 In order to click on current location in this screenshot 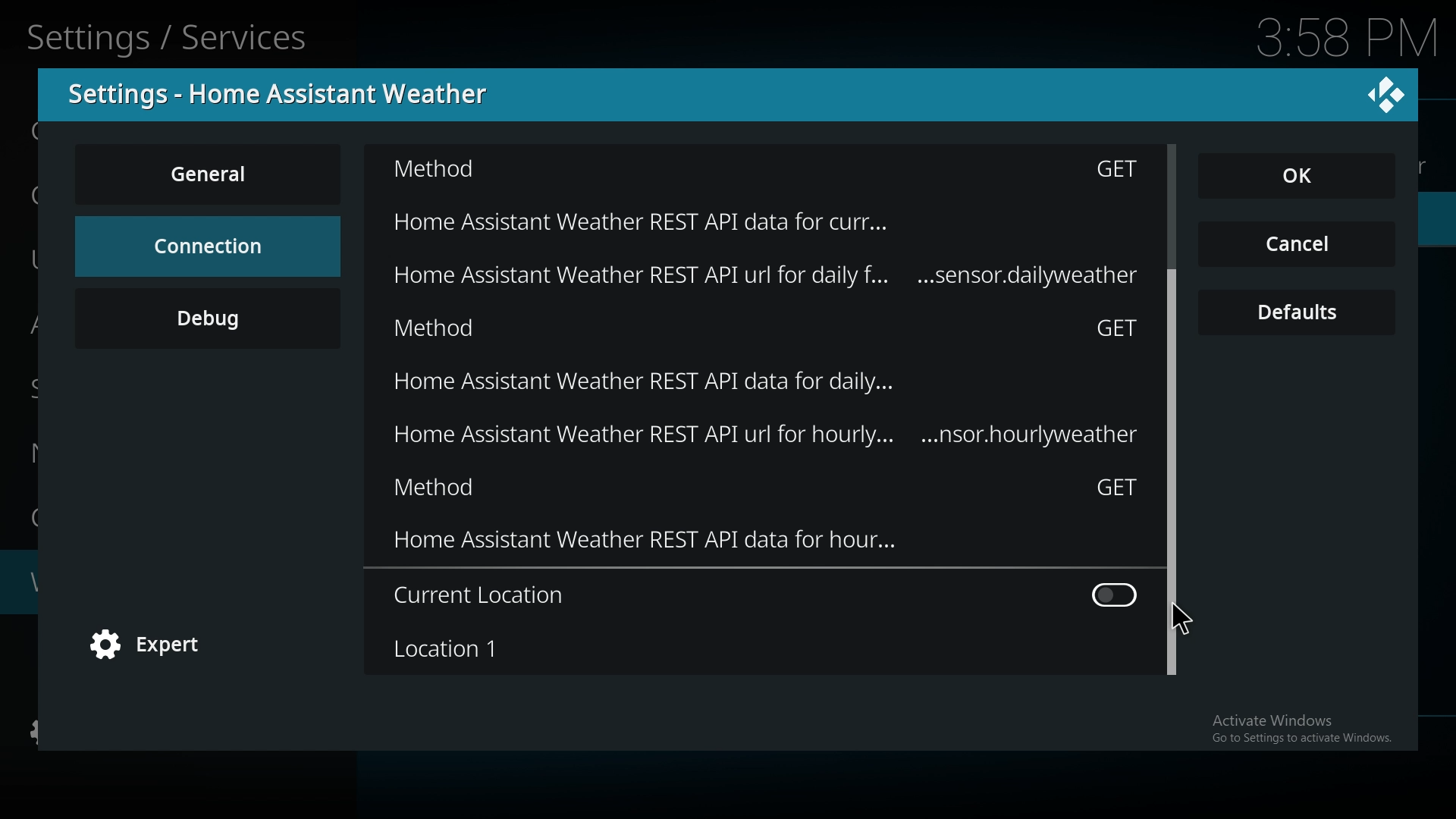, I will do `click(764, 595)`.